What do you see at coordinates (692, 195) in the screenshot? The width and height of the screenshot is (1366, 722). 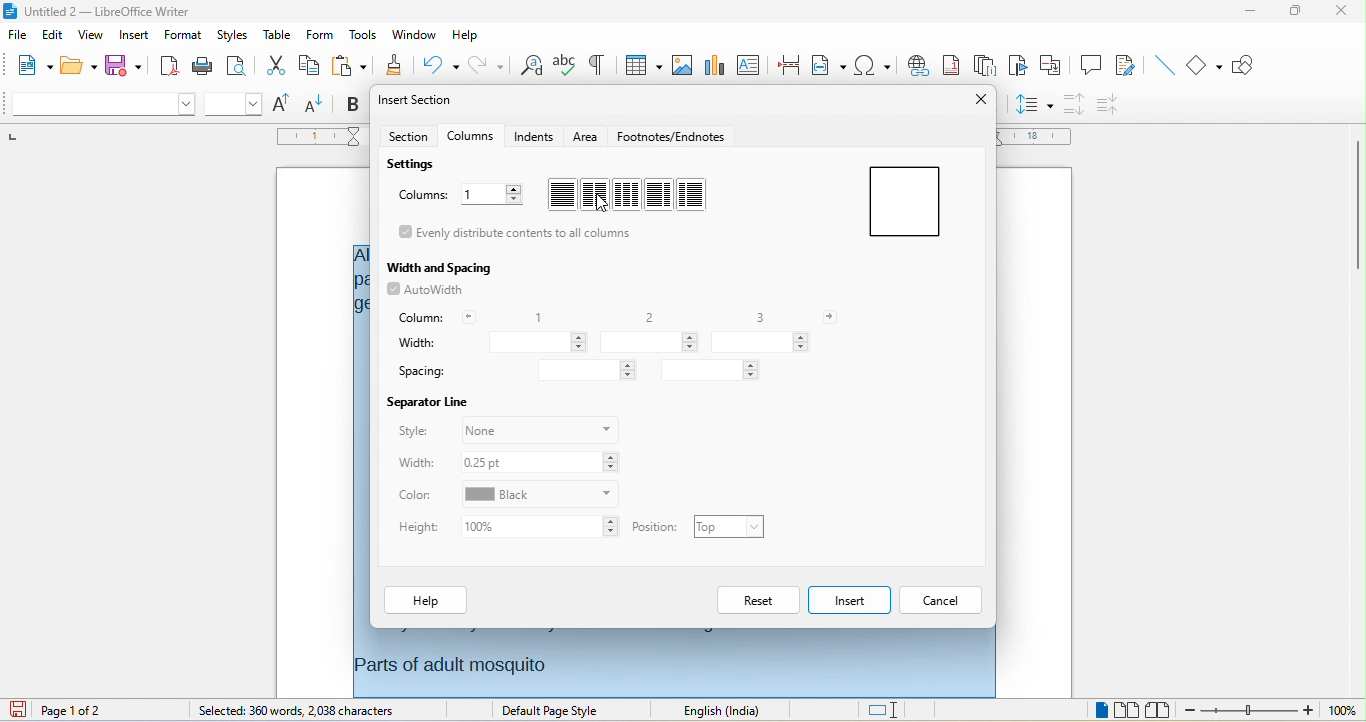 I see `2 column with different size (left<right)` at bounding box center [692, 195].